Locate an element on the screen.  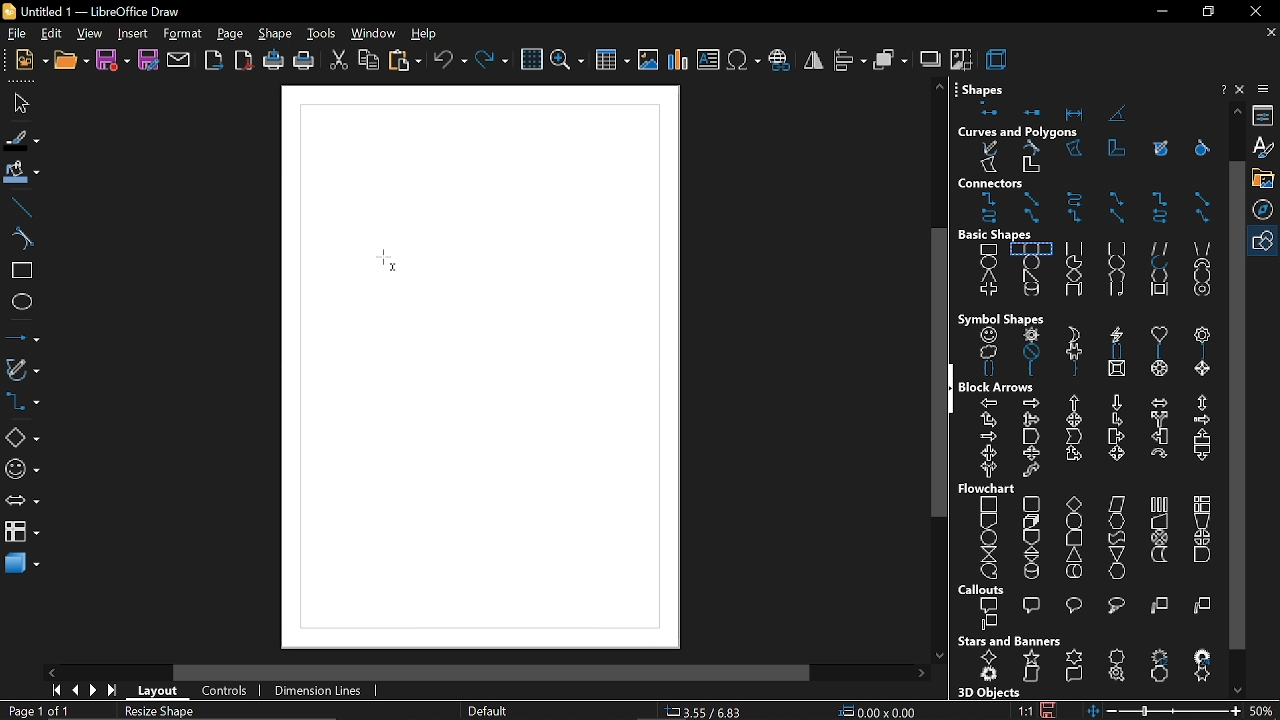
vertical scrollbar is located at coordinates (1236, 404).